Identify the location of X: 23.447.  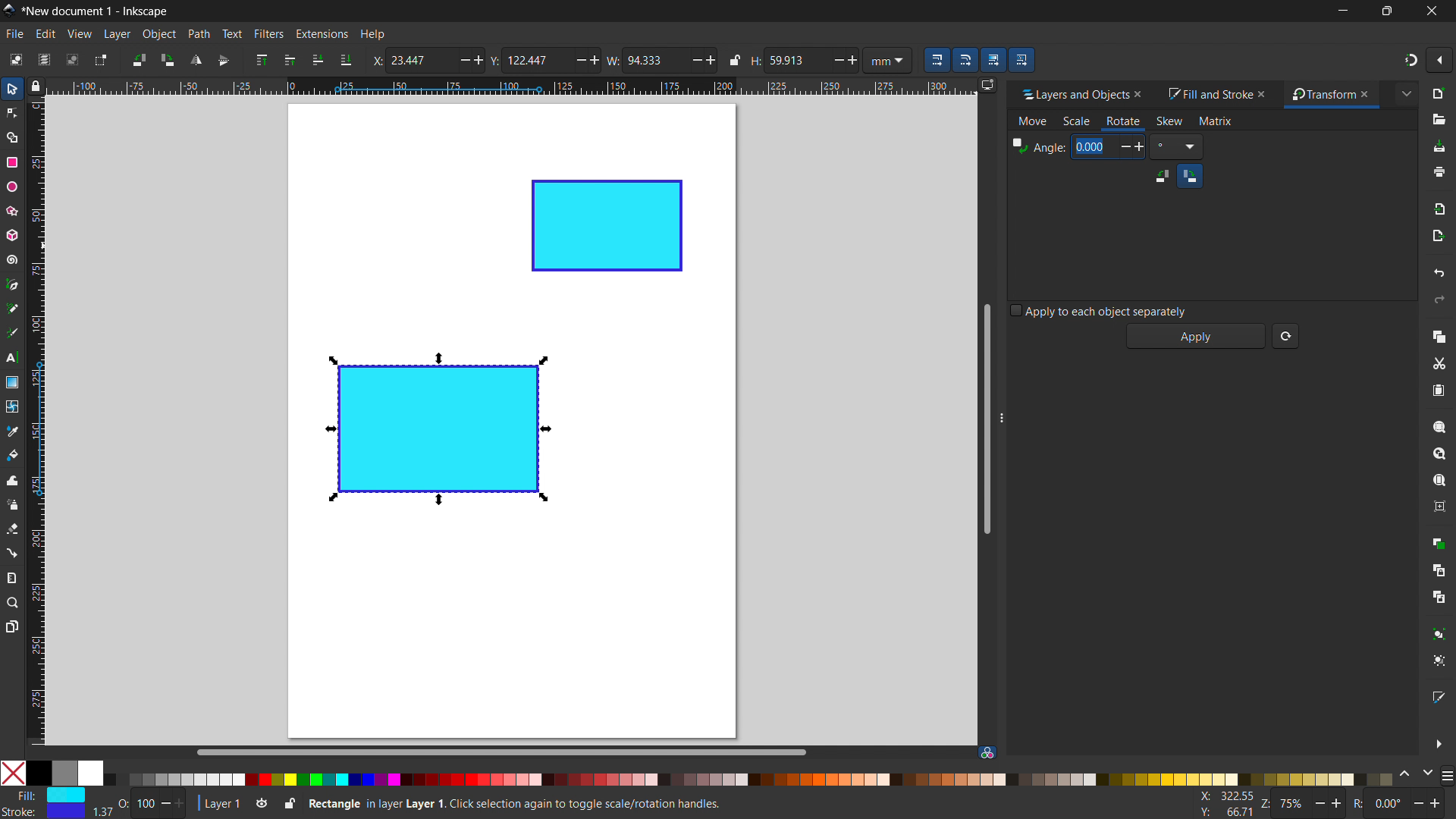
(409, 60).